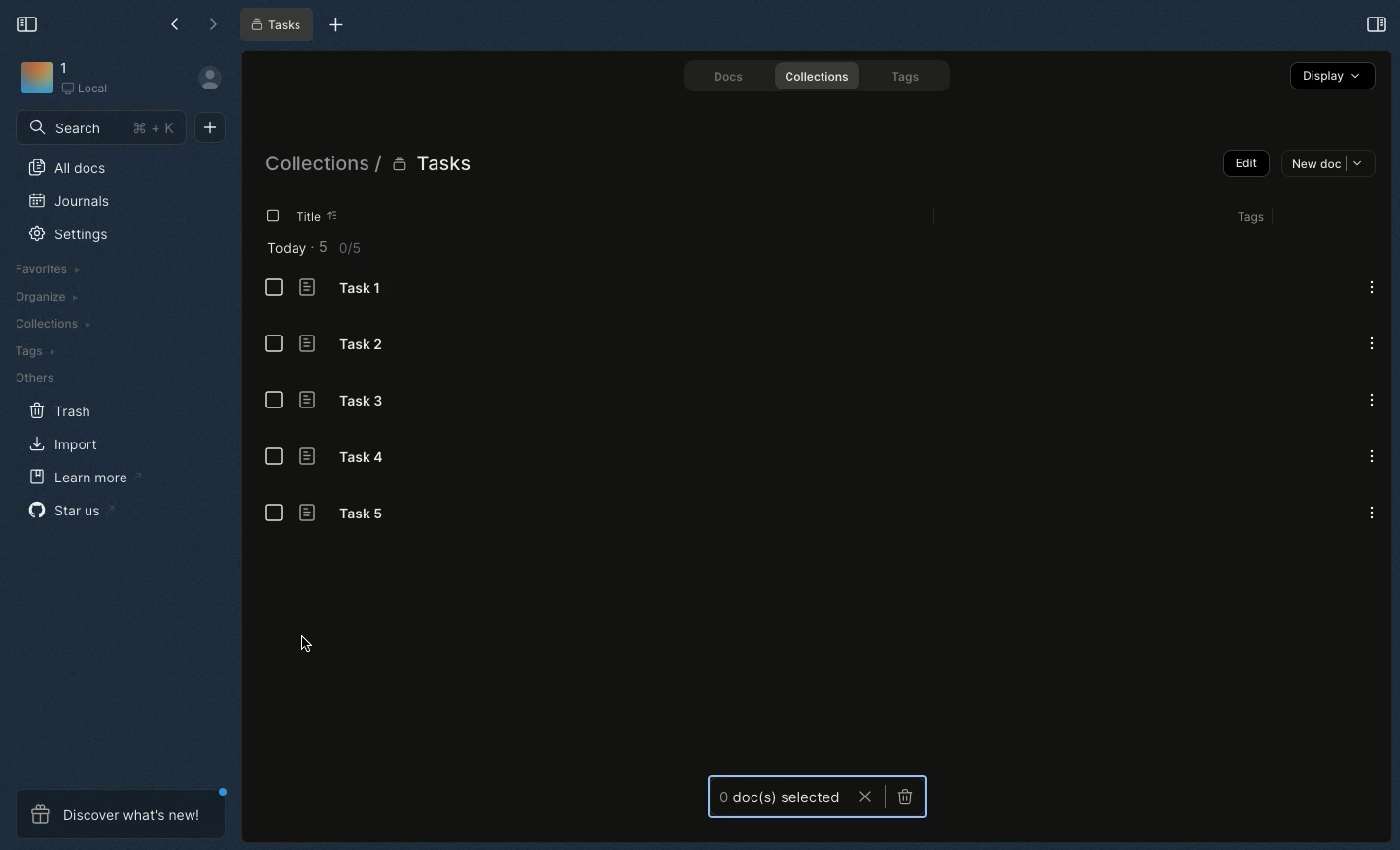  Describe the element at coordinates (101, 126) in the screenshot. I see `Search` at that location.